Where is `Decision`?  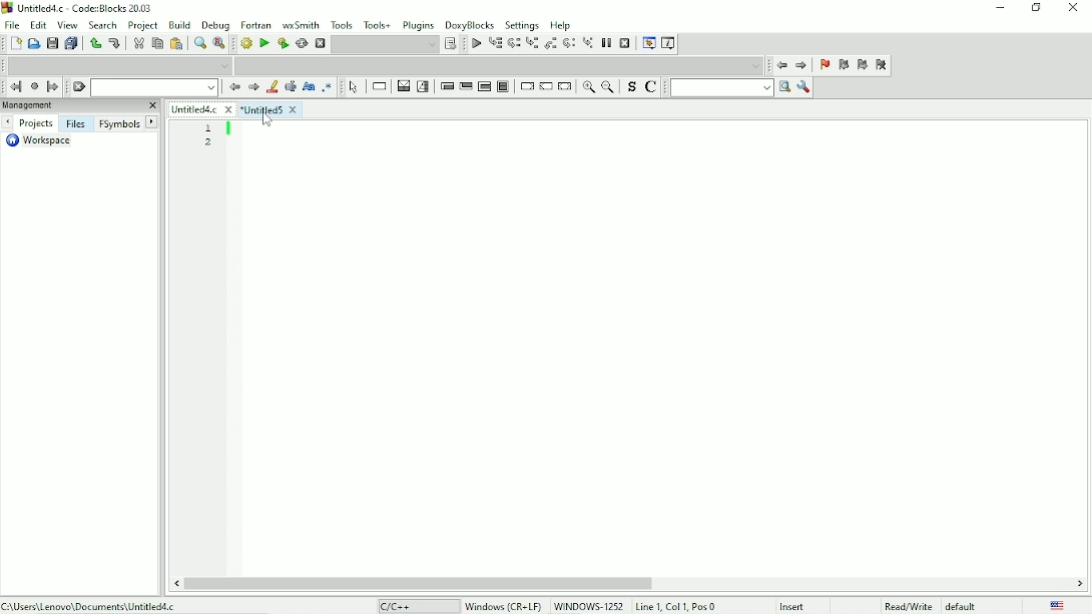
Decision is located at coordinates (403, 87).